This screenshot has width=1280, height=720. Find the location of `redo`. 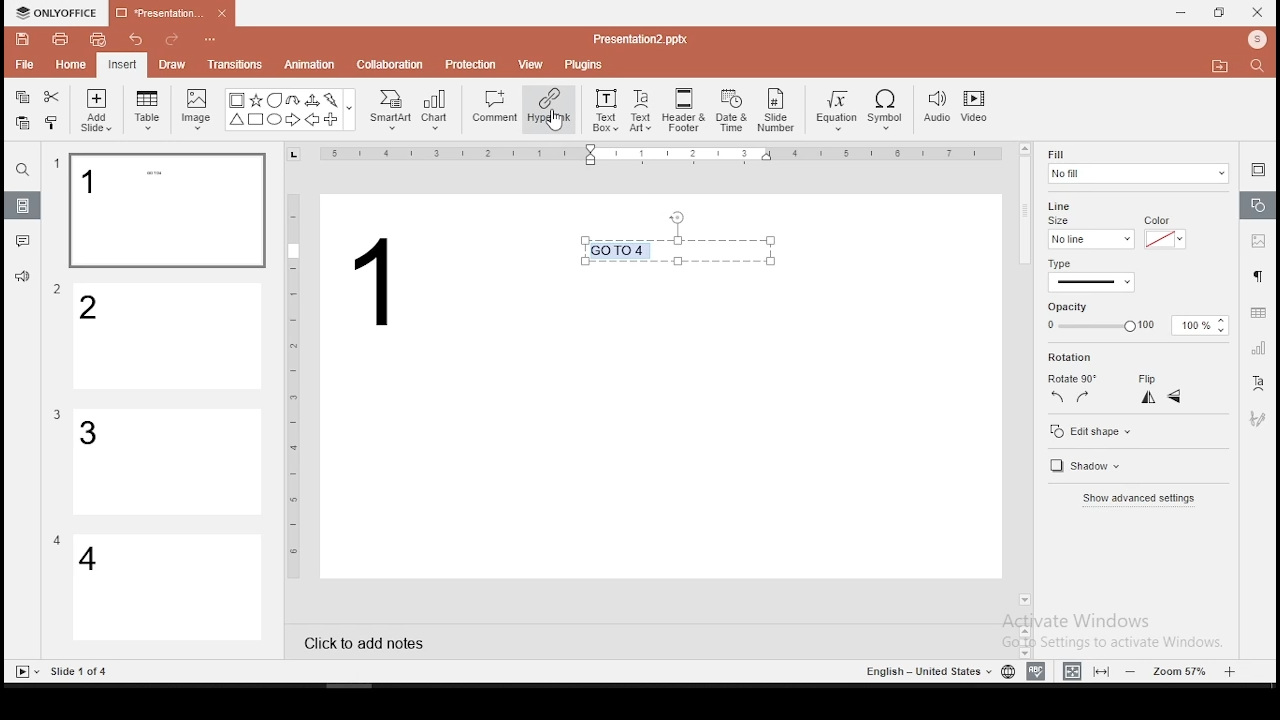

redo is located at coordinates (172, 42).